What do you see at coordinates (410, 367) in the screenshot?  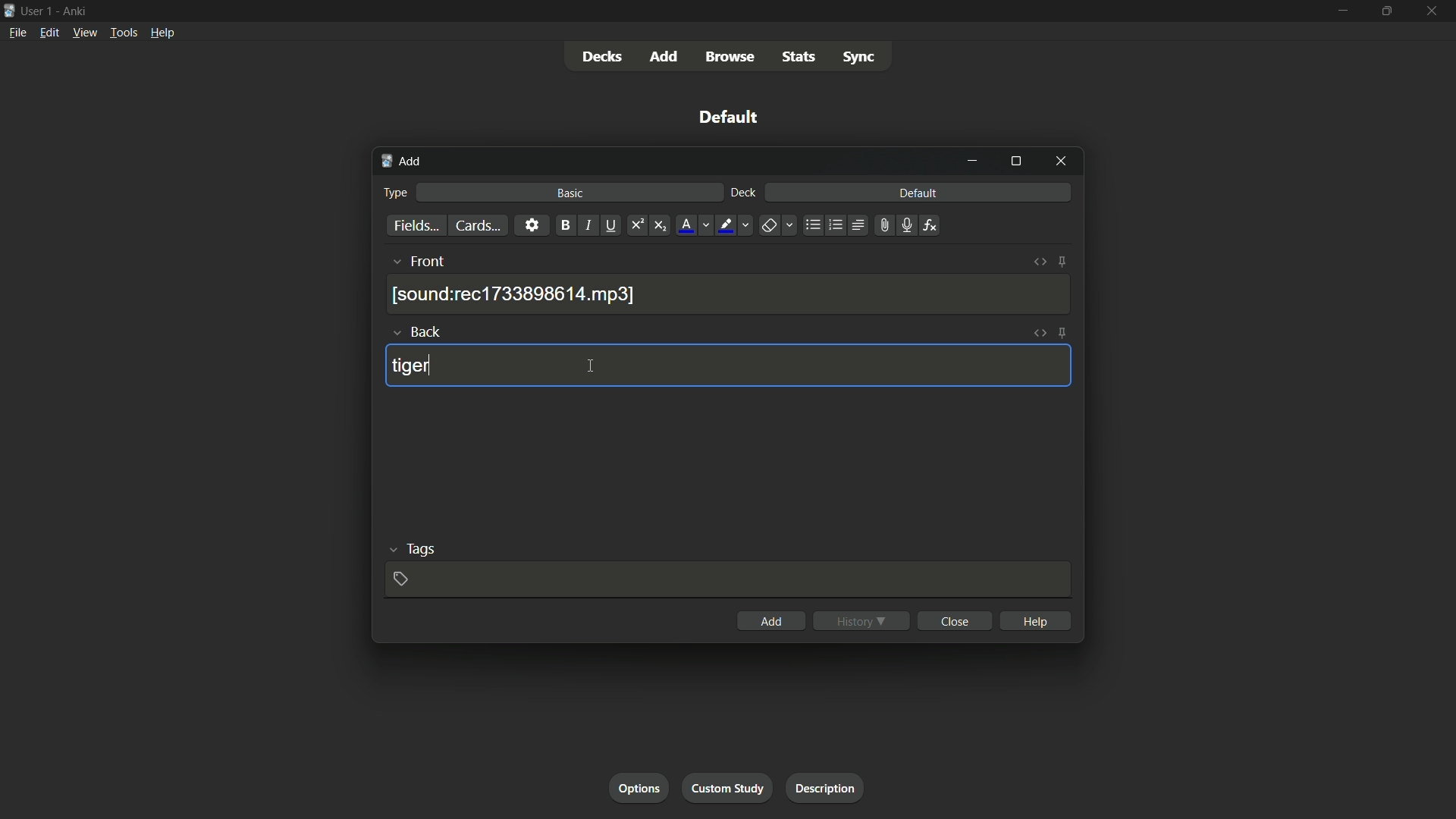 I see `tiger` at bounding box center [410, 367].